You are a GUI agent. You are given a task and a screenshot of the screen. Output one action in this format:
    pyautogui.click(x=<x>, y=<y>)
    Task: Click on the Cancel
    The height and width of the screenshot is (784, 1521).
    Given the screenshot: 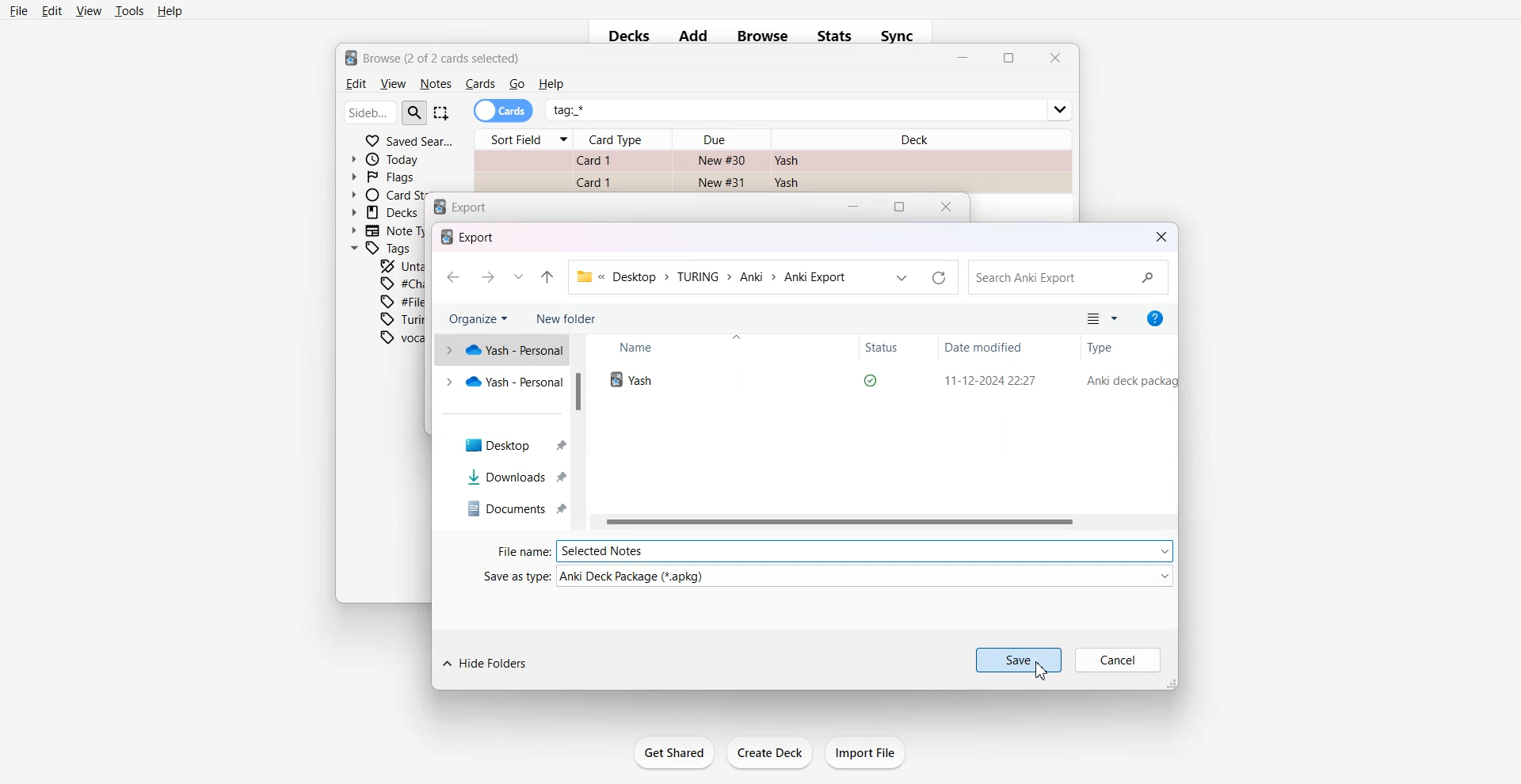 What is the action you would take?
    pyautogui.click(x=1119, y=660)
    